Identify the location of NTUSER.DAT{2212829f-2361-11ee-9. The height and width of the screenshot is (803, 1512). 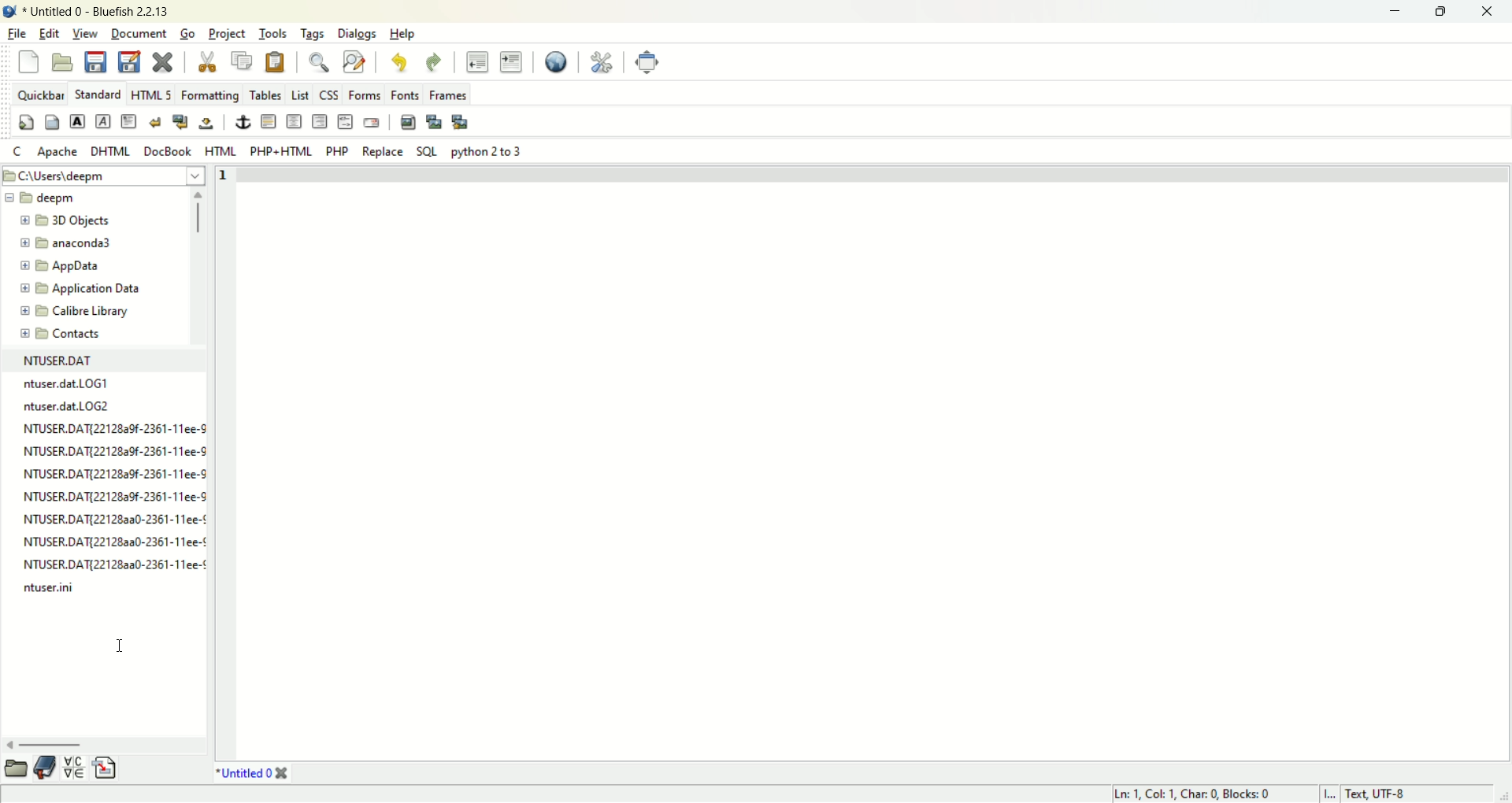
(116, 453).